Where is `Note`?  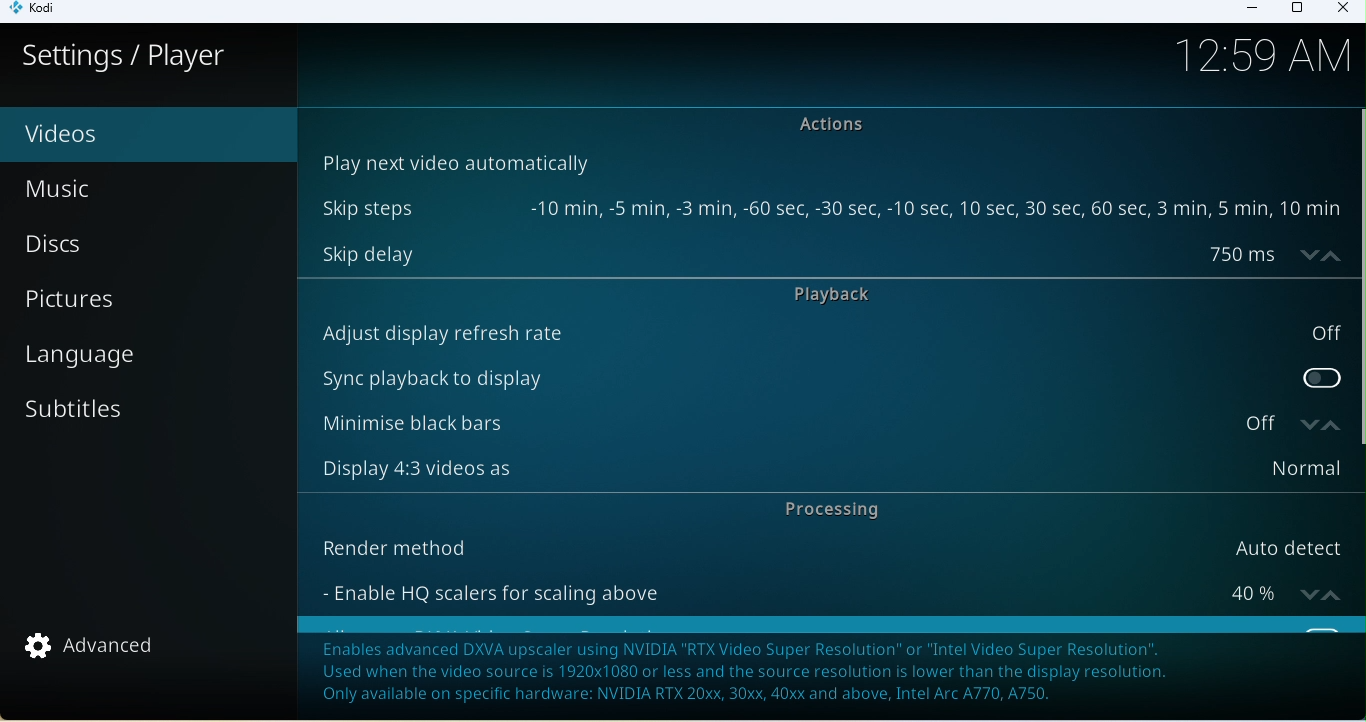 Note is located at coordinates (829, 670).